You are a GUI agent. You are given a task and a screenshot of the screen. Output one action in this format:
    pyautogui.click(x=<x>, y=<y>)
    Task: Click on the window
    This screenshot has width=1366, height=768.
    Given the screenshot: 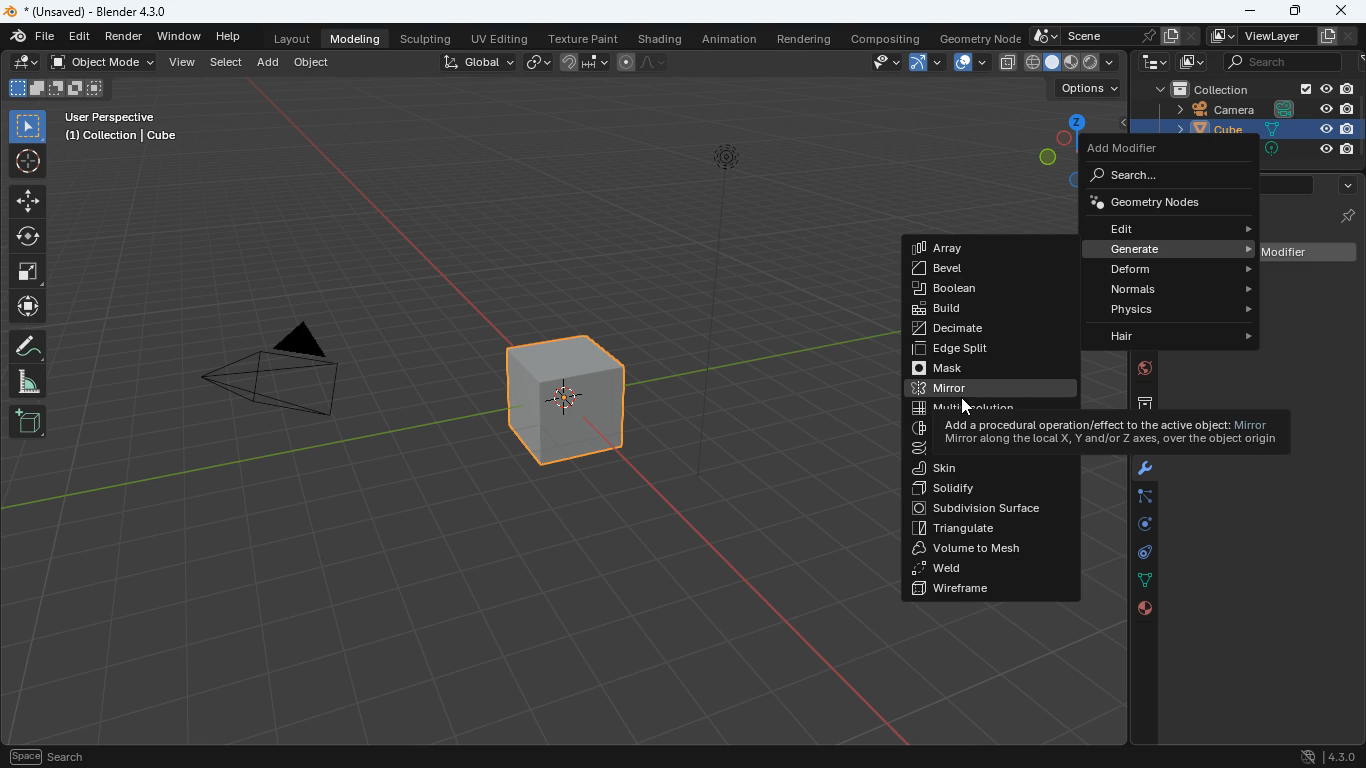 What is the action you would take?
    pyautogui.click(x=178, y=35)
    